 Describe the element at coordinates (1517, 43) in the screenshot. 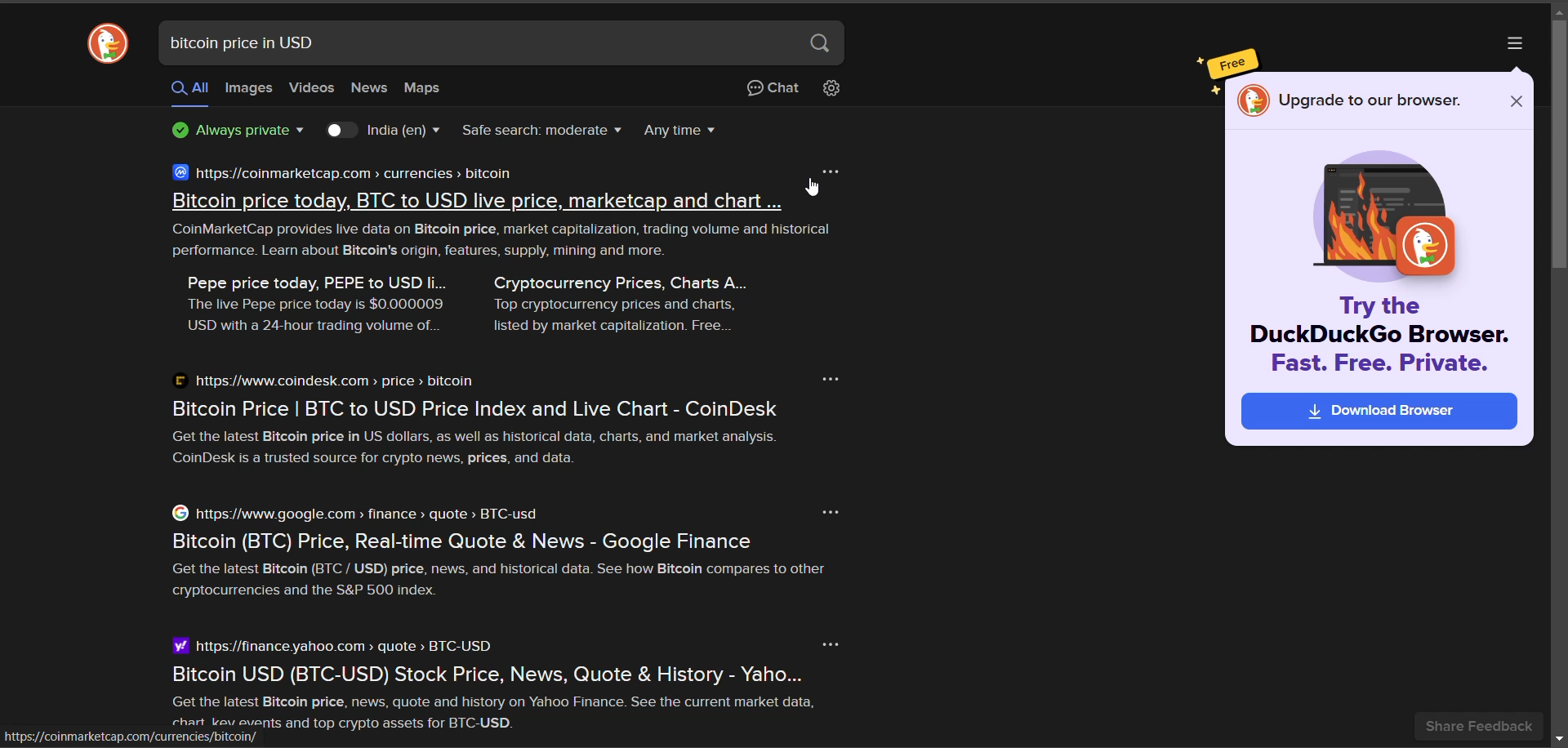

I see `more options` at that location.